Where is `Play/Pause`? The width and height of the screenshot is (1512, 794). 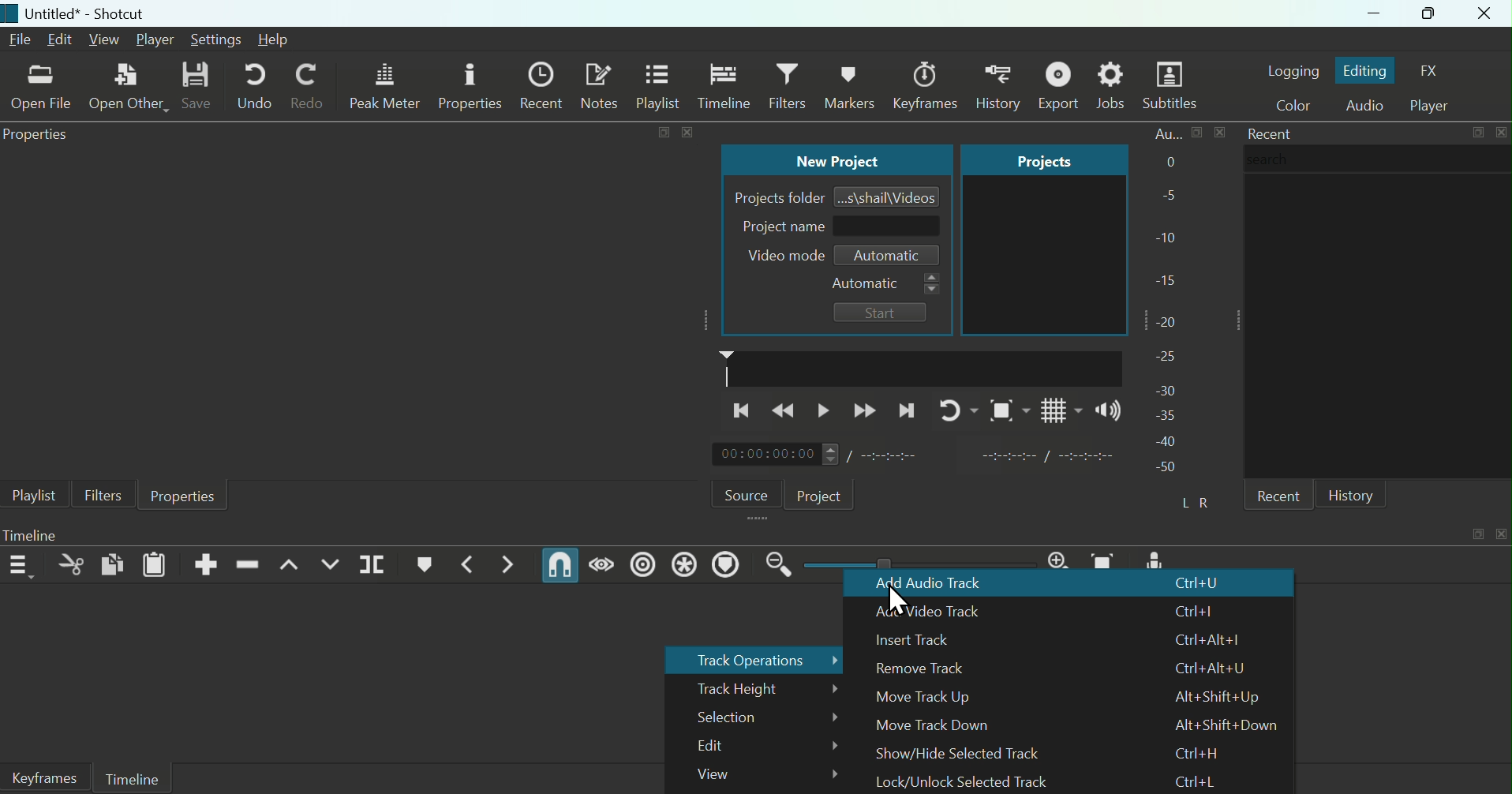
Play/Pause is located at coordinates (826, 409).